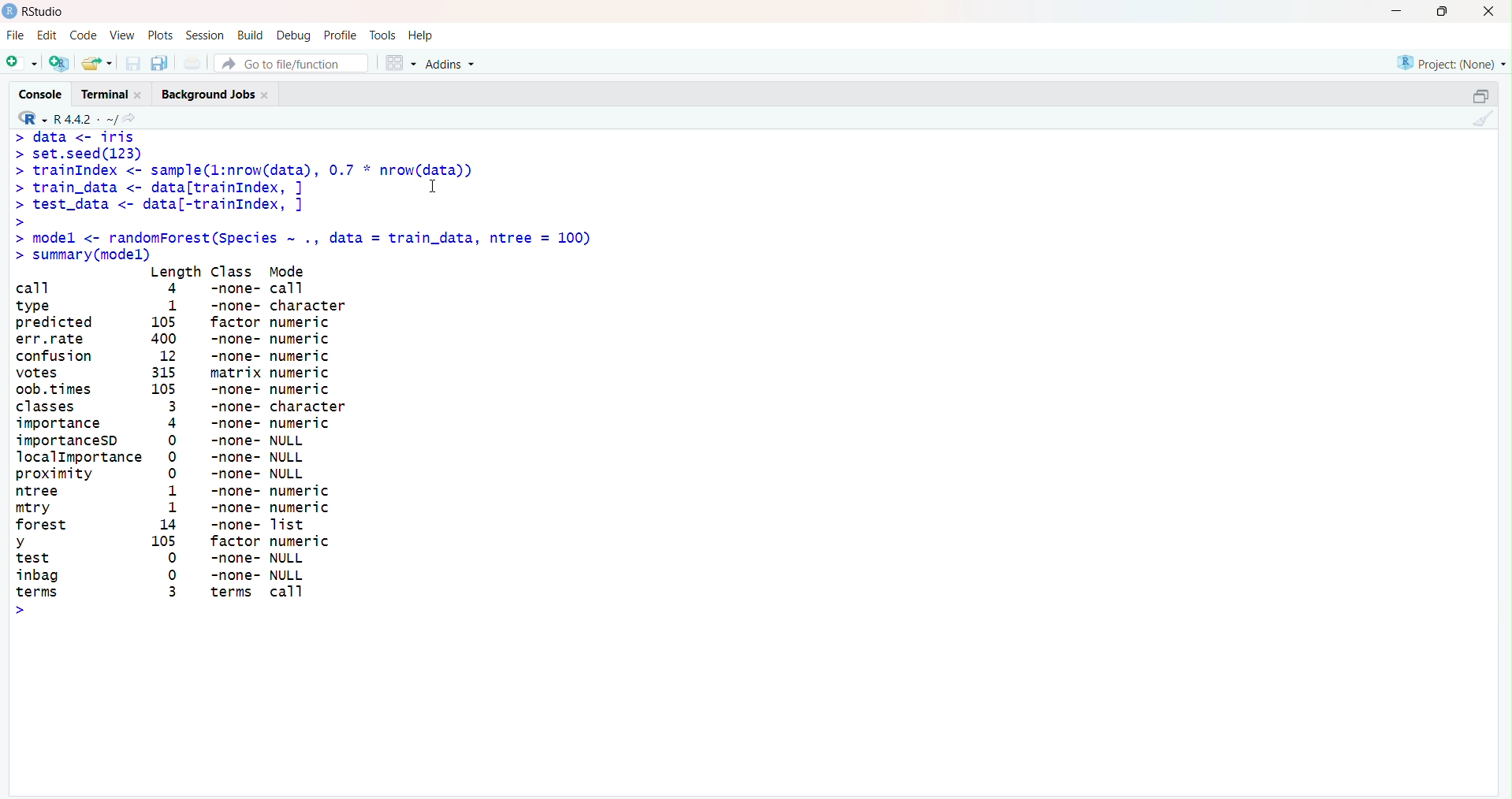 Image resolution: width=1512 pixels, height=799 pixels. What do you see at coordinates (160, 35) in the screenshot?
I see `Plots` at bounding box center [160, 35].